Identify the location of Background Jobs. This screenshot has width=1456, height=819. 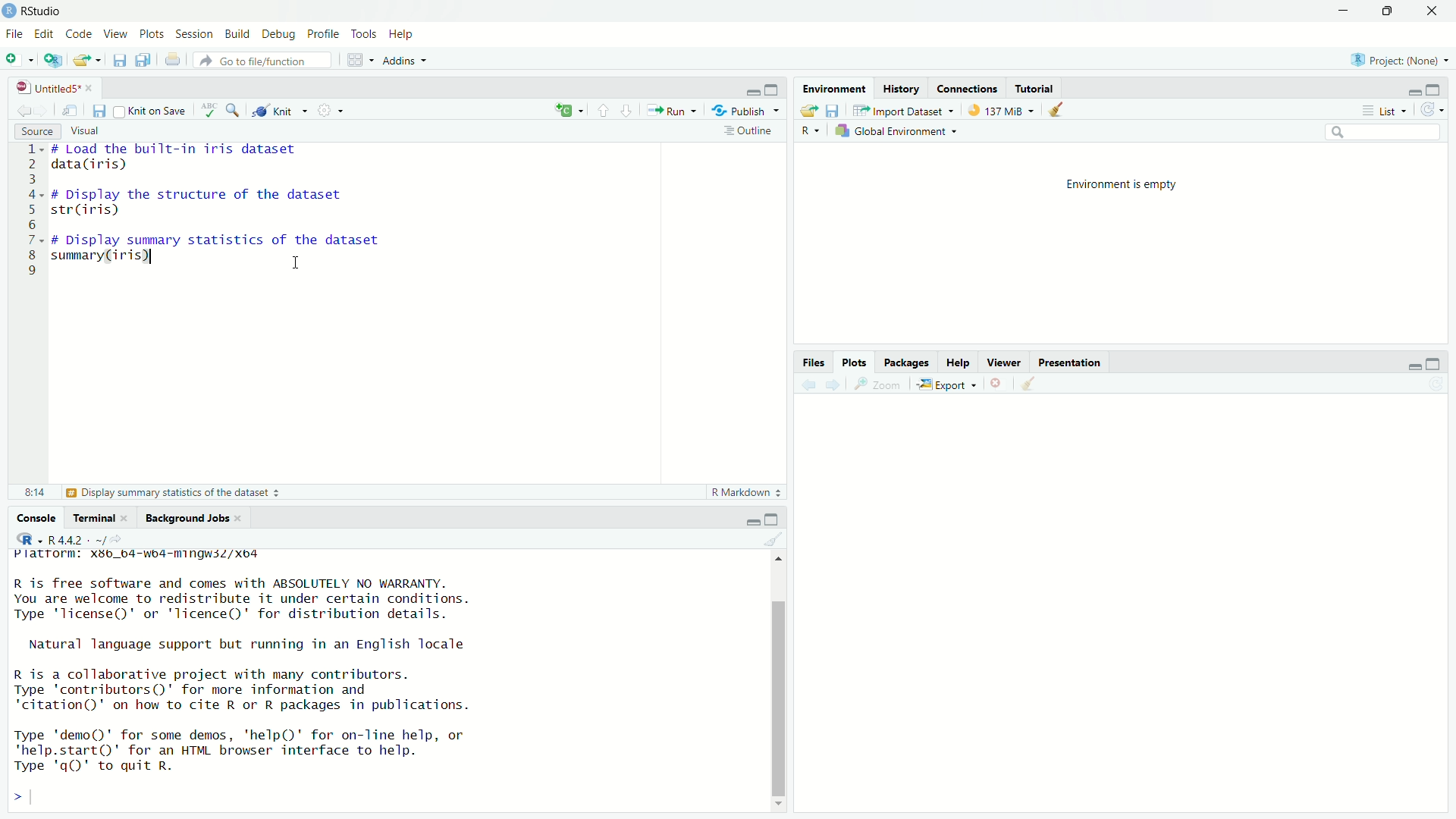
(194, 519).